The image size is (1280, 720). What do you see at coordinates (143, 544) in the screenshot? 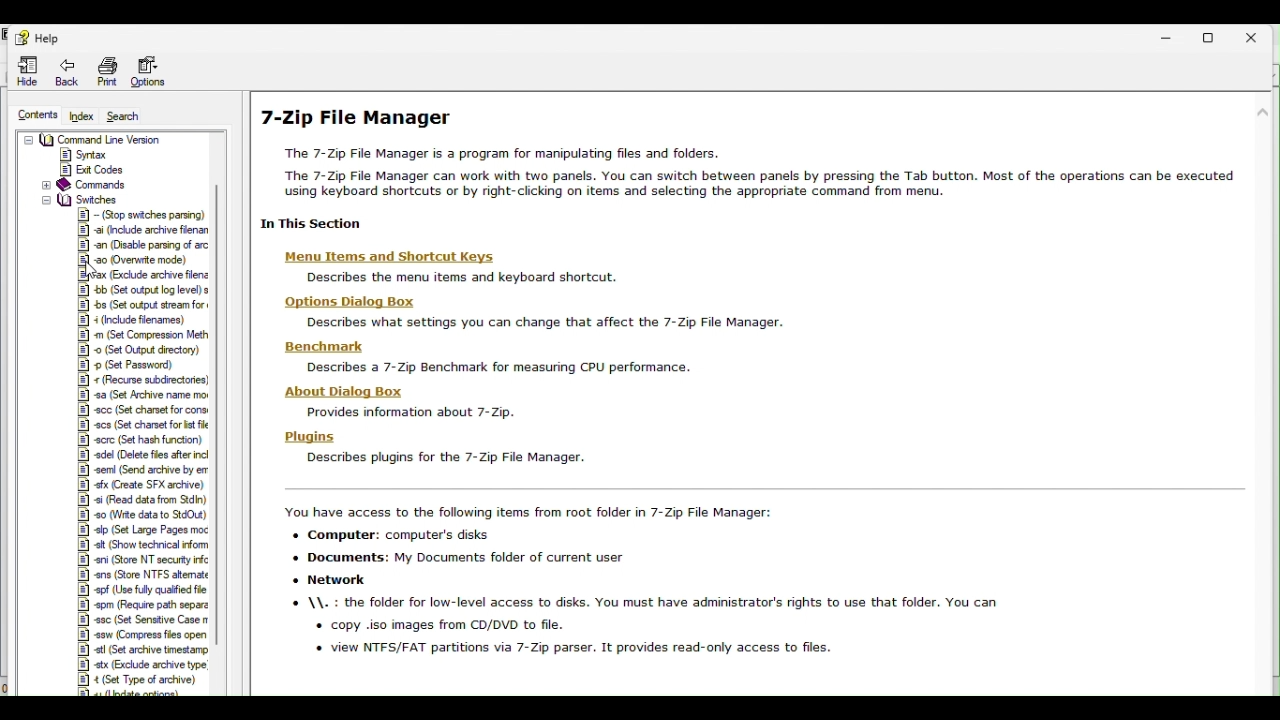
I see `|W] eit (Show technical form` at bounding box center [143, 544].